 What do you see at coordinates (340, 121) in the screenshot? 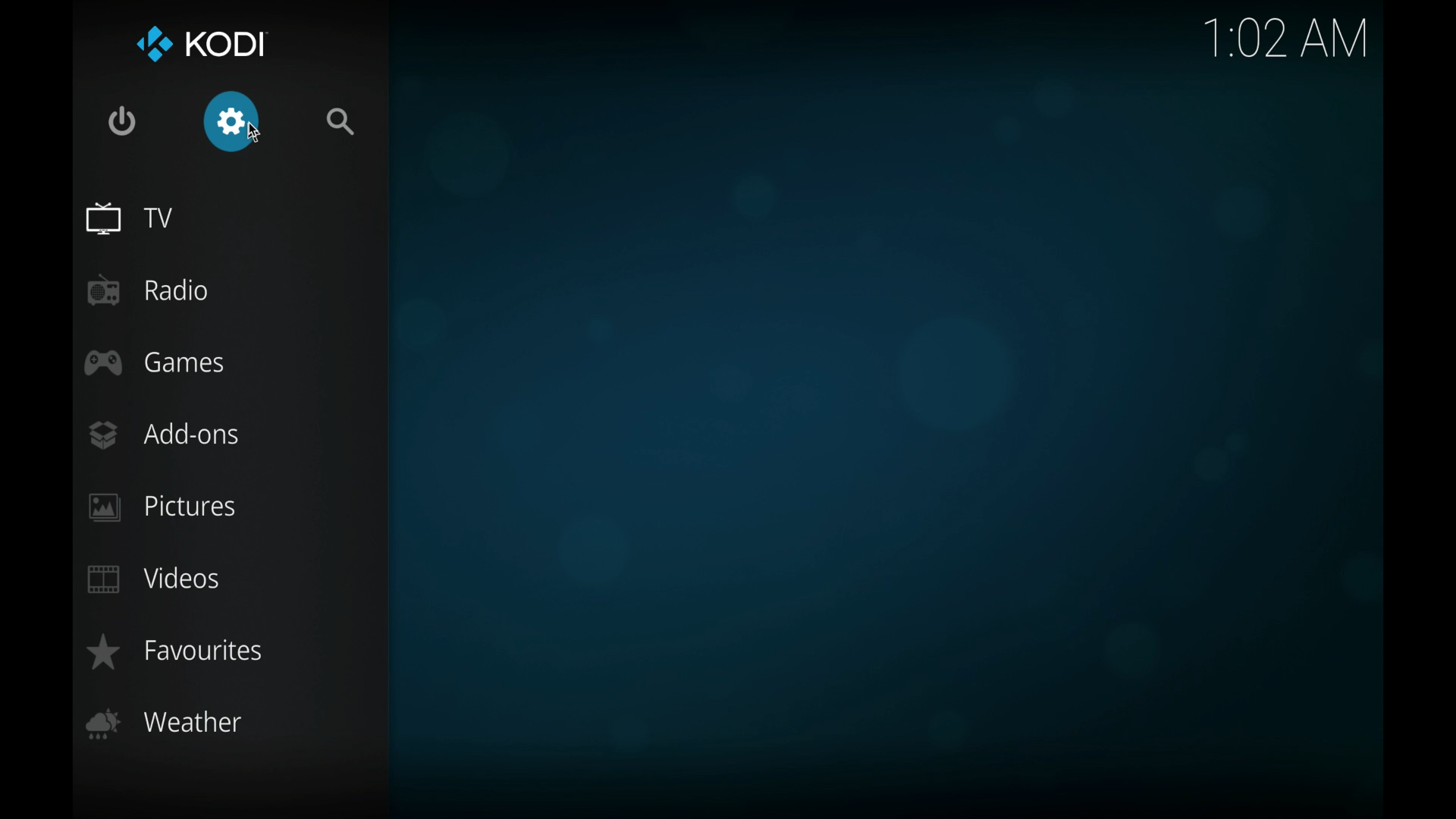
I see `search` at bounding box center [340, 121].